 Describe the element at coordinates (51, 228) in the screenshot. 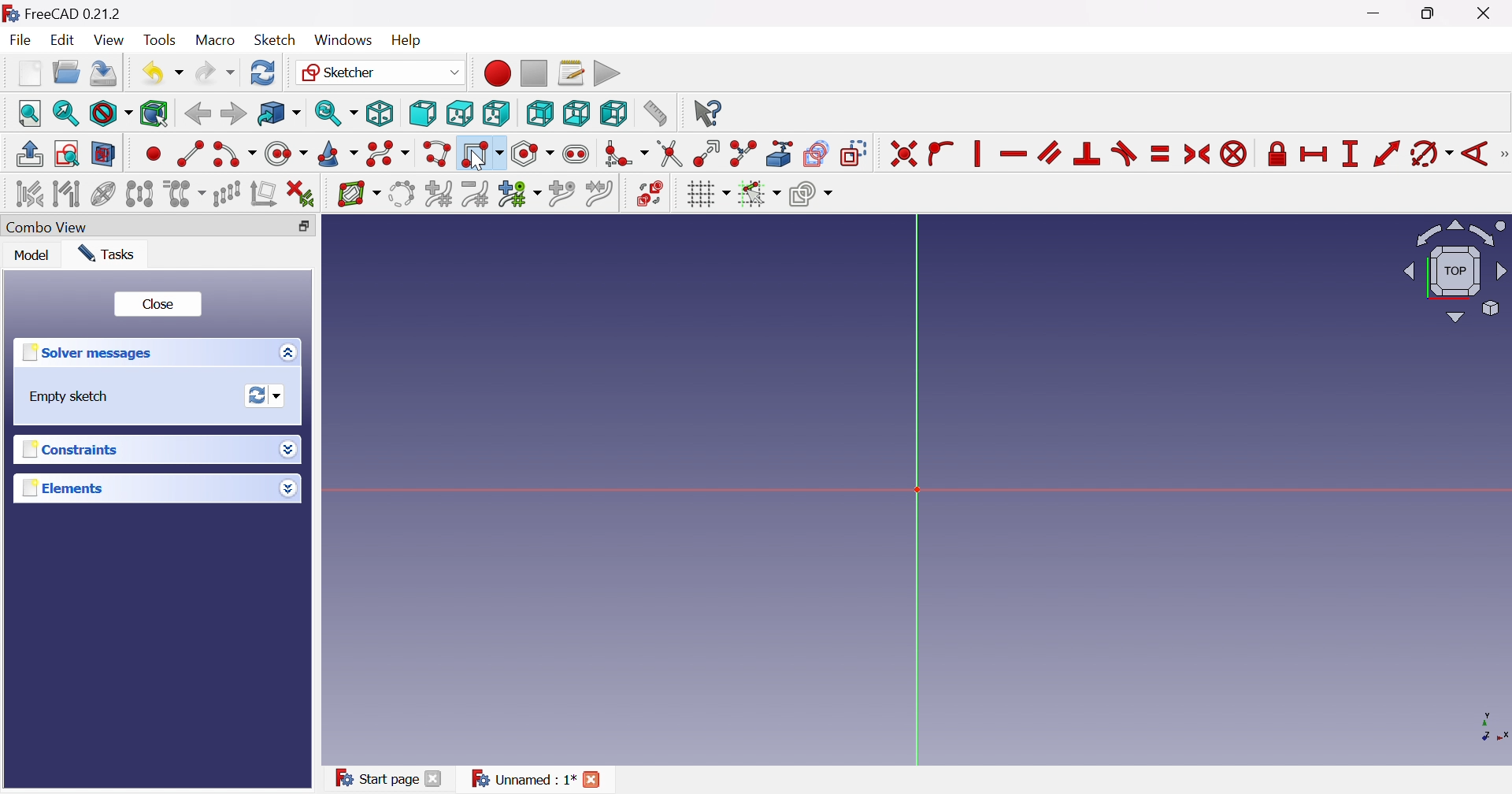

I see `Combo` at that location.